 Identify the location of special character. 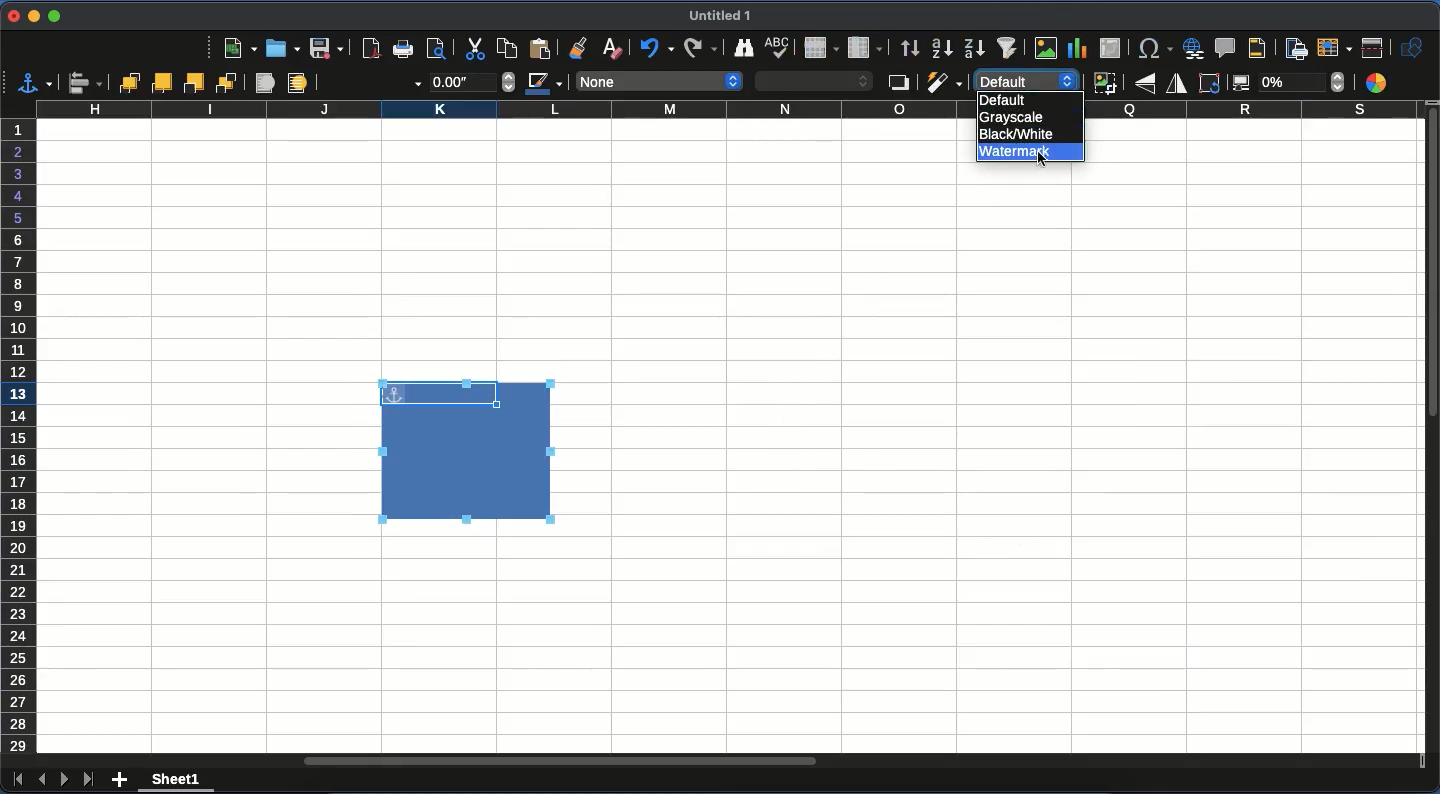
(1151, 48).